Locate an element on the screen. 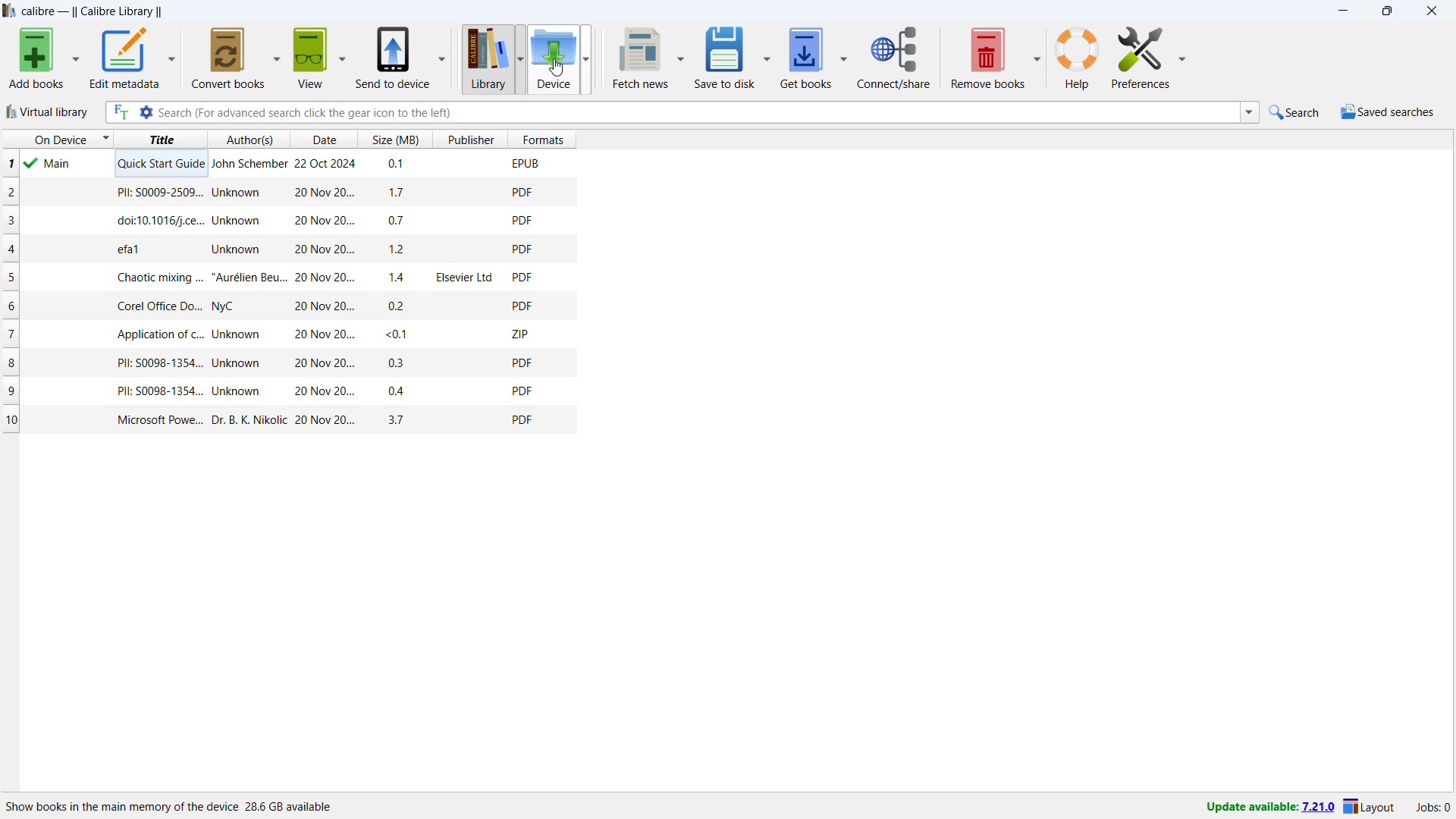 The height and width of the screenshot is (819, 1456). logo is located at coordinates (10, 11).